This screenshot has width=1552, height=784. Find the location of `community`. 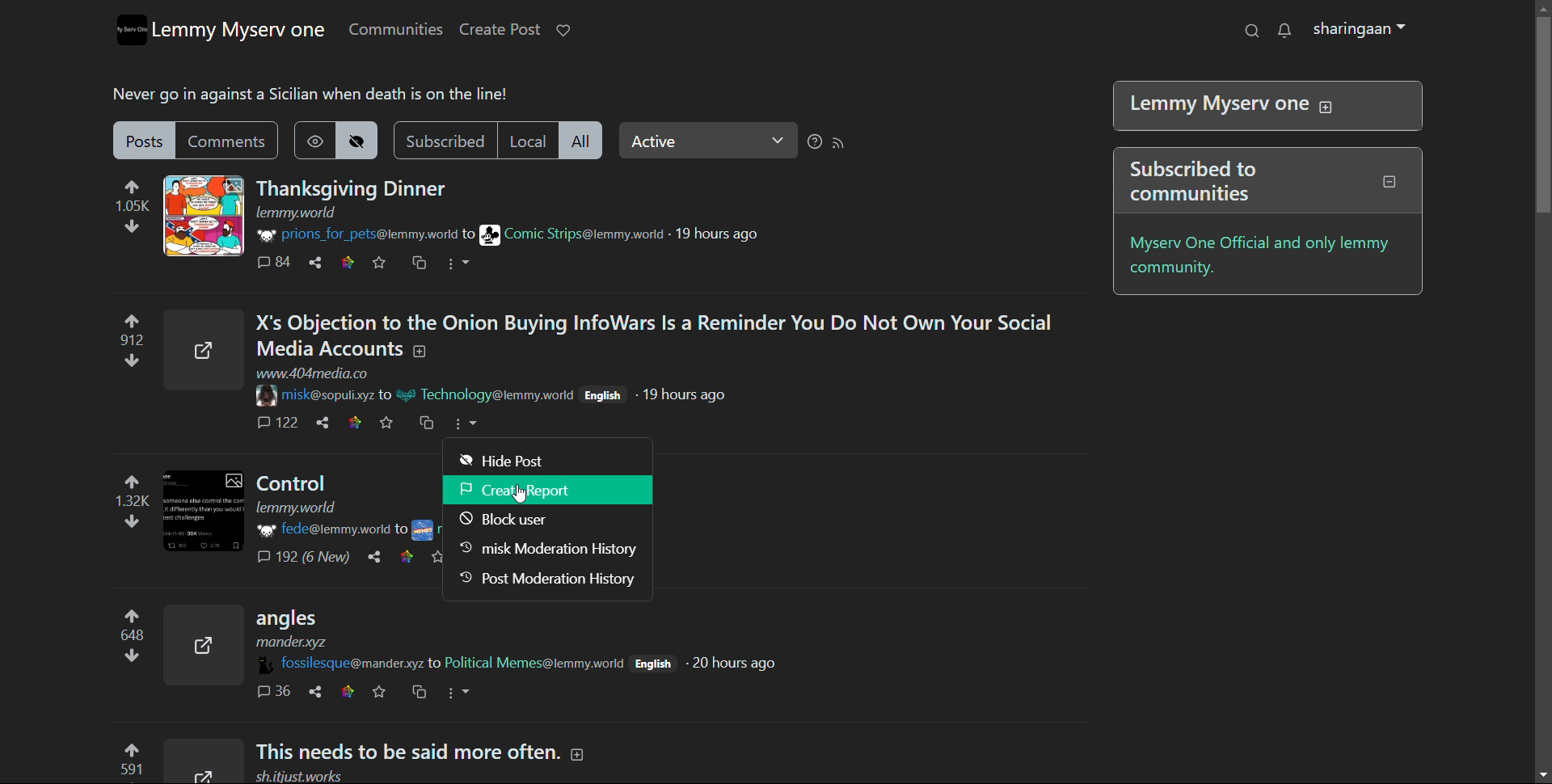

community is located at coordinates (533, 663).